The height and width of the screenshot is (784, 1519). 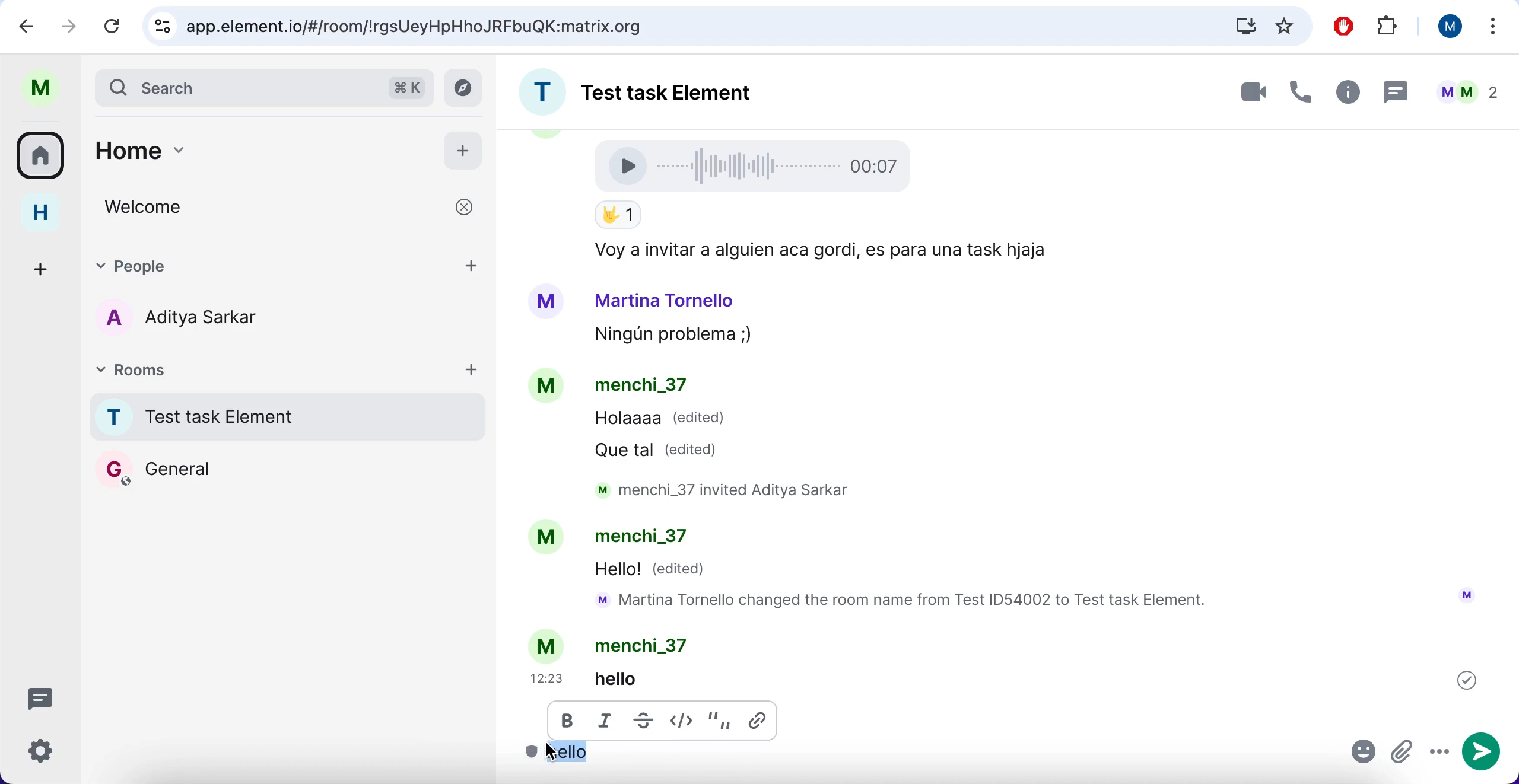 I want to click on 12:23, so click(x=549, y=678).